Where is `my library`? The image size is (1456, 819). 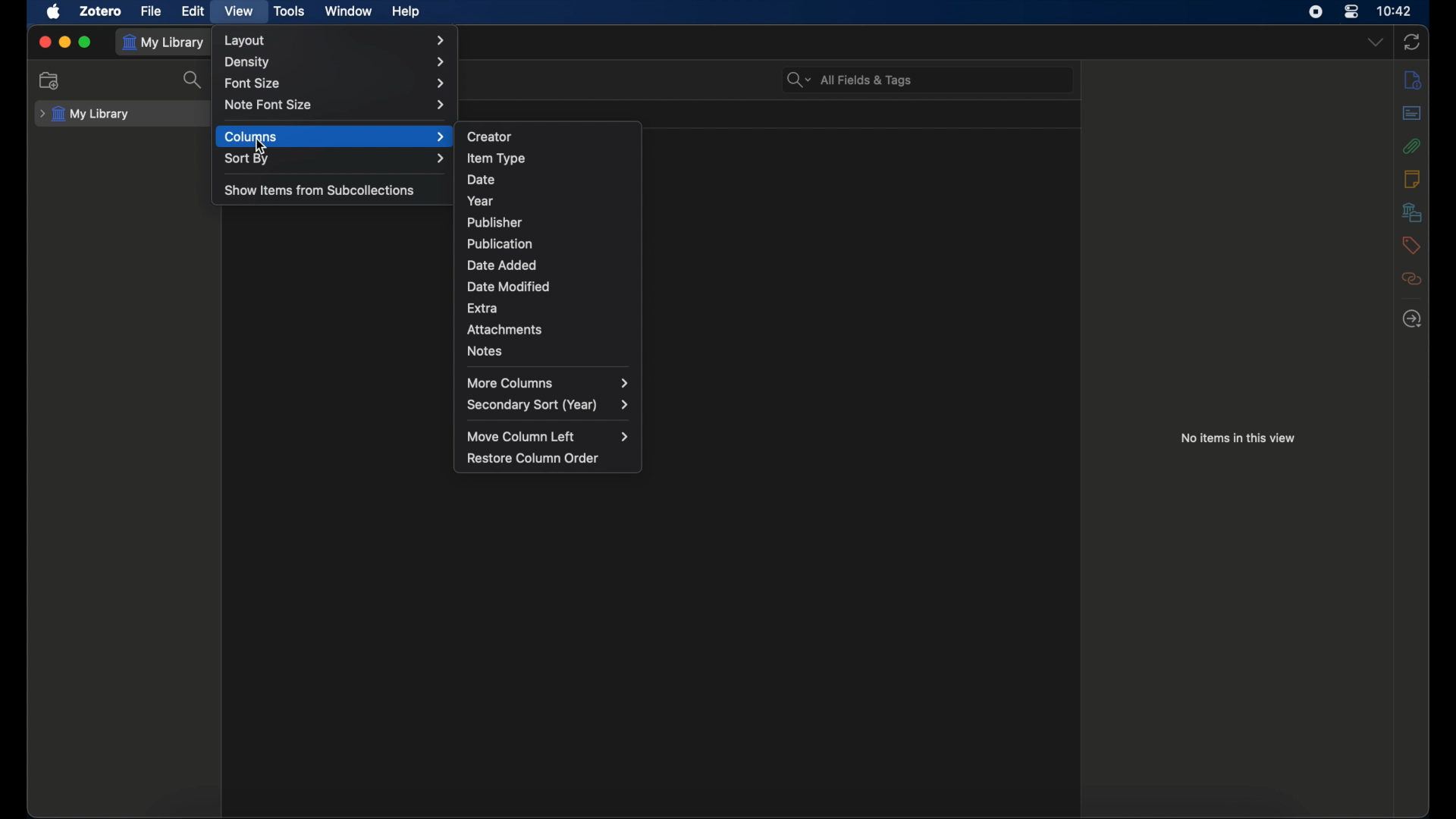
my library is located at coordinates (86, 114).